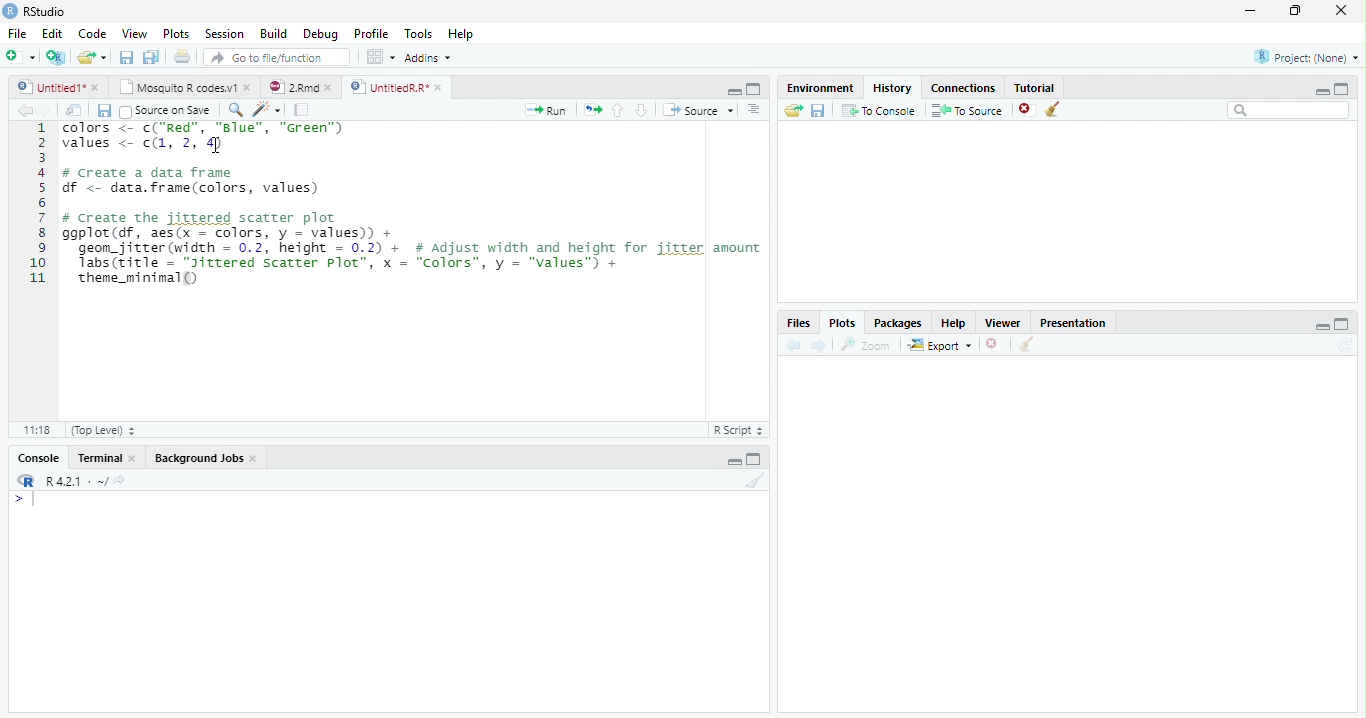 The image size is (1366, 718). What do you see at coordinates (1027, 110) in the screenshot?
I see `Remove the selected history entries` at bounding box center [1027, 110].